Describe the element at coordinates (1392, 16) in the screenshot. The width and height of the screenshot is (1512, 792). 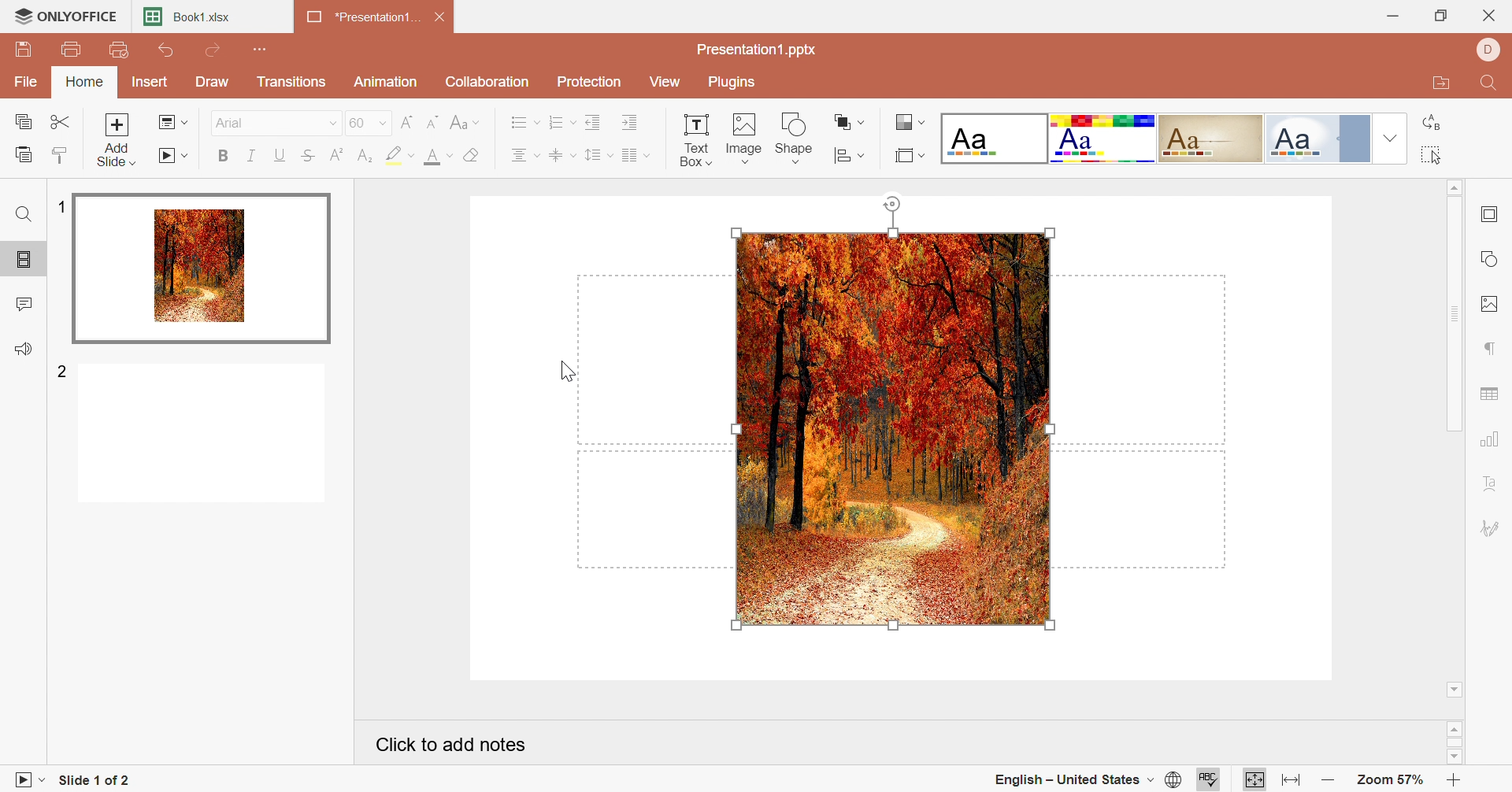
I see `Minimize` at that location.